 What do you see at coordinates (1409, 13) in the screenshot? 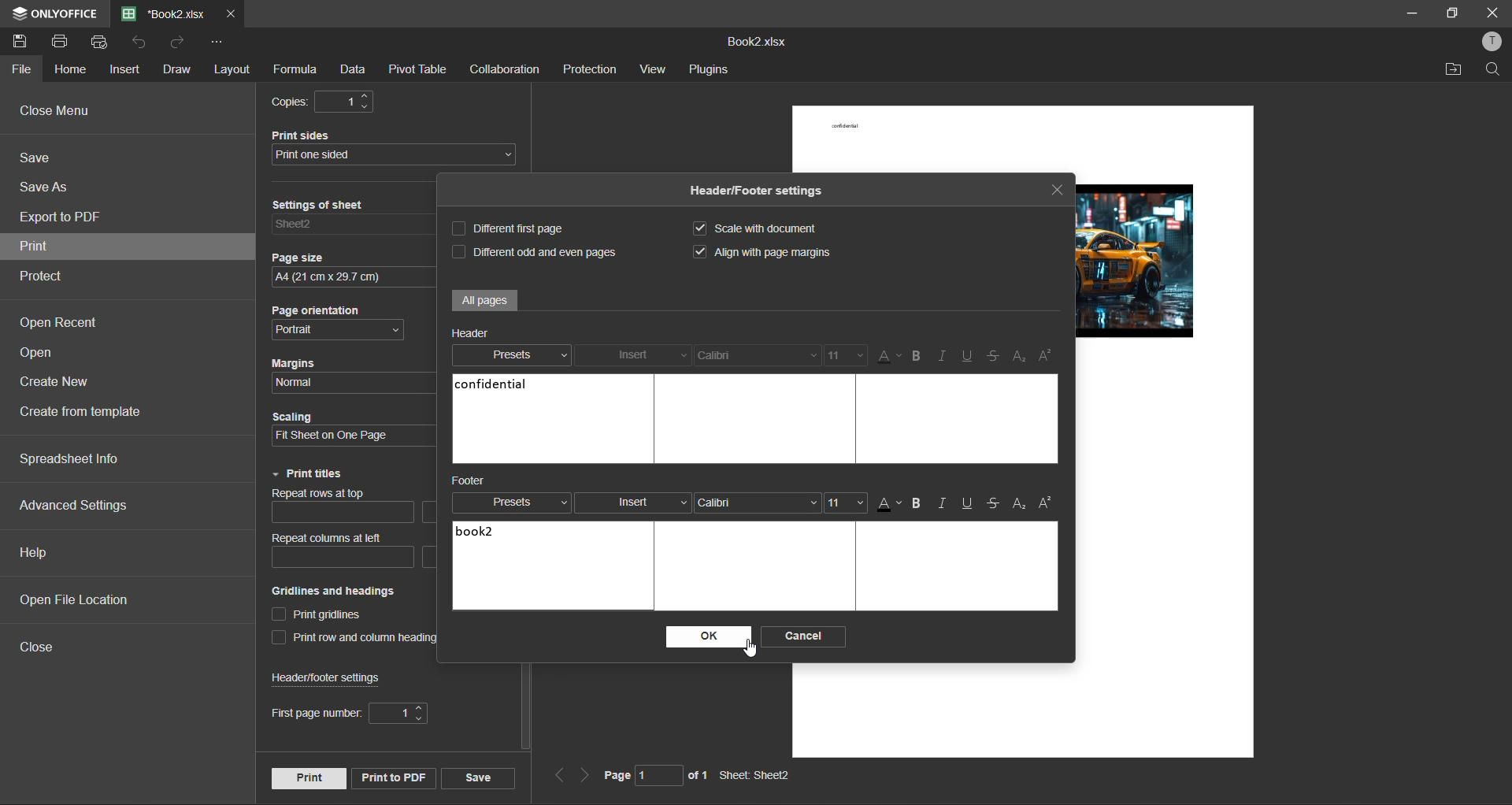
I see `minimize` at bounding box center [1409, 13].